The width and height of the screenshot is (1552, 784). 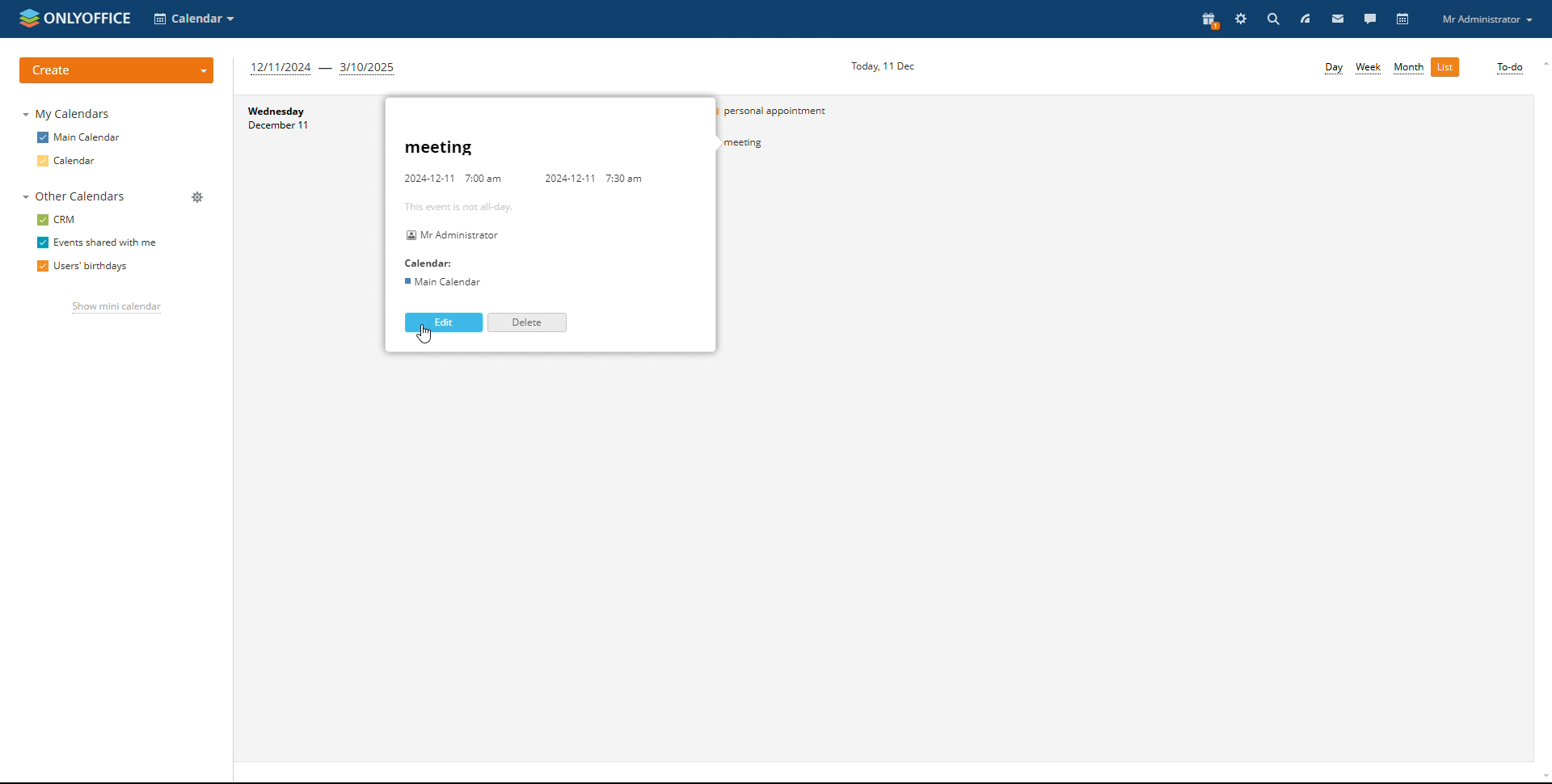 I want to click on events shared with me, so click(x=96, y=243).